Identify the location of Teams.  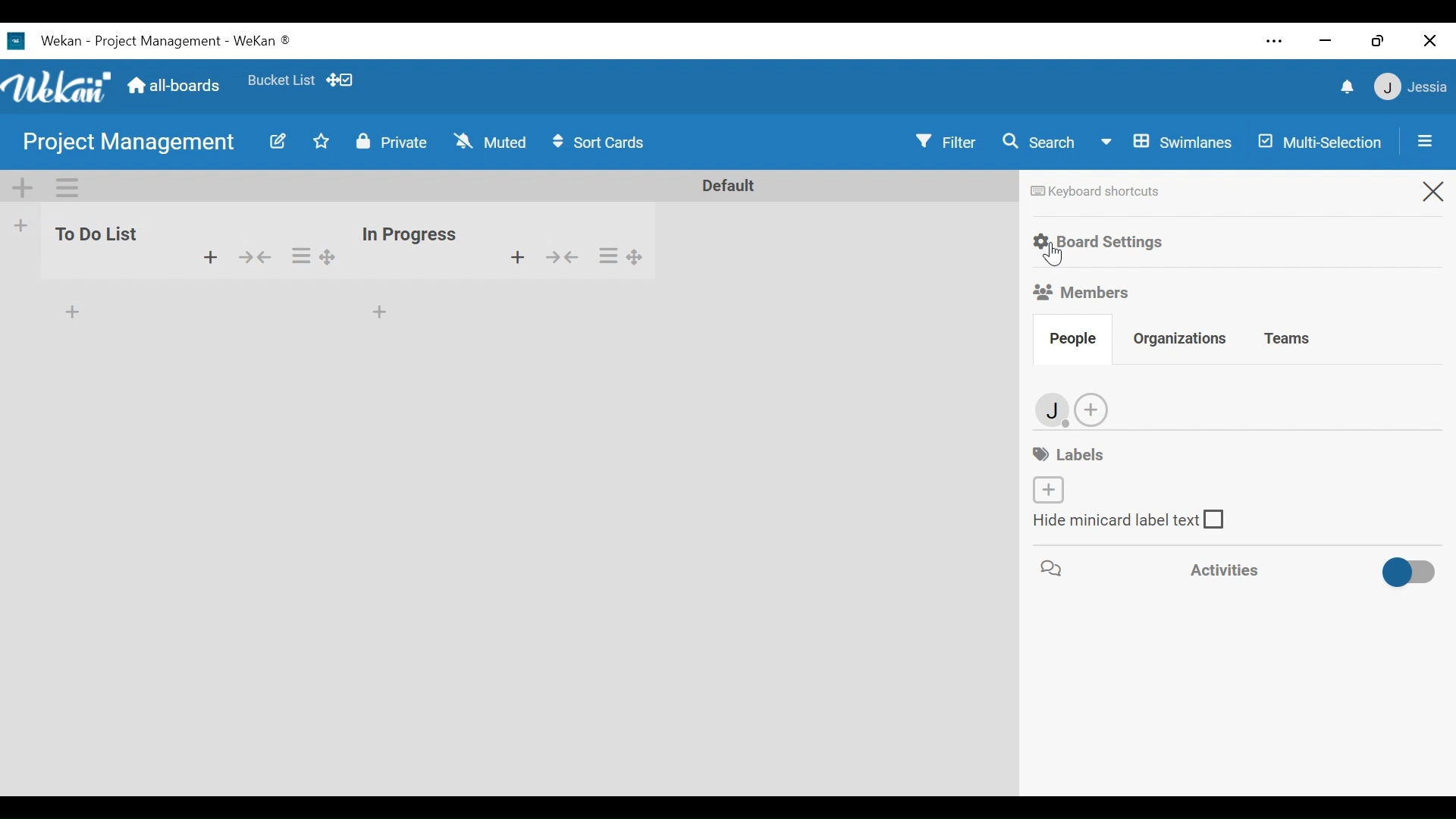
(1285, 340).